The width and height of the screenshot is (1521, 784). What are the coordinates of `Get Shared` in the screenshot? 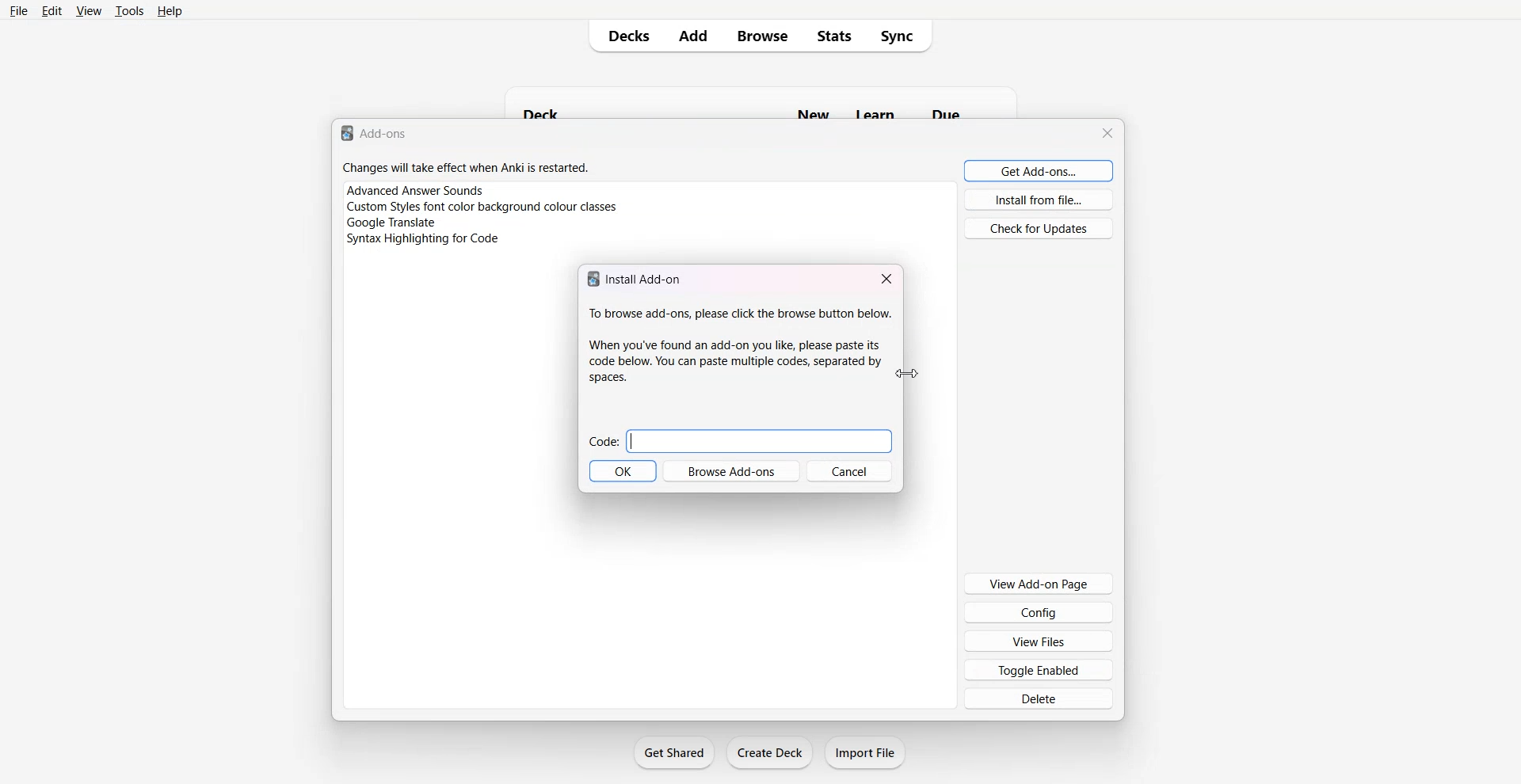 It's located at (674, 752).